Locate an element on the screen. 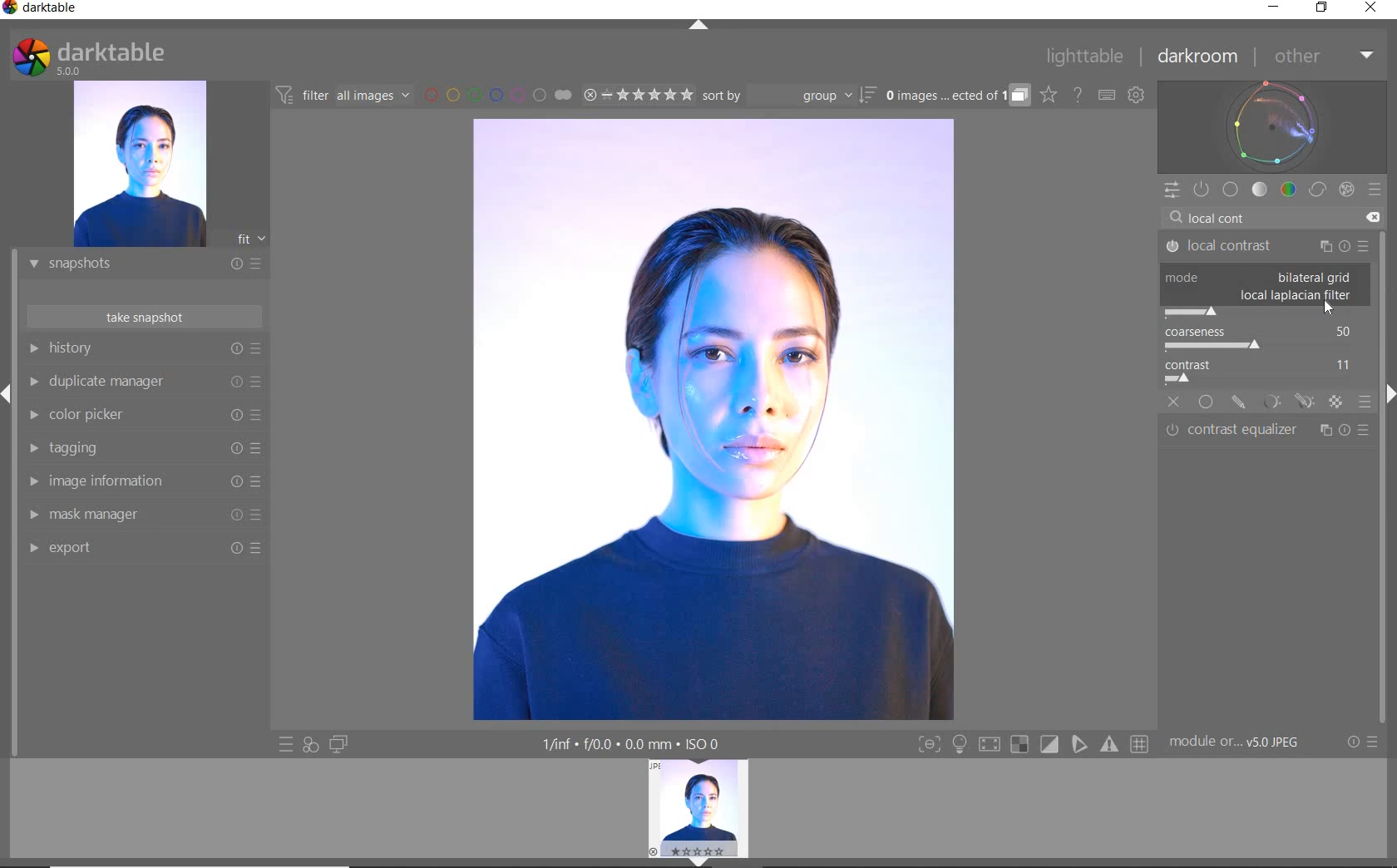 The height and width of the screenshot is (868, 1397). DISPLAY A SECOND DARKROOM IMAGE WINDOW is located at coordinates (338, 744).